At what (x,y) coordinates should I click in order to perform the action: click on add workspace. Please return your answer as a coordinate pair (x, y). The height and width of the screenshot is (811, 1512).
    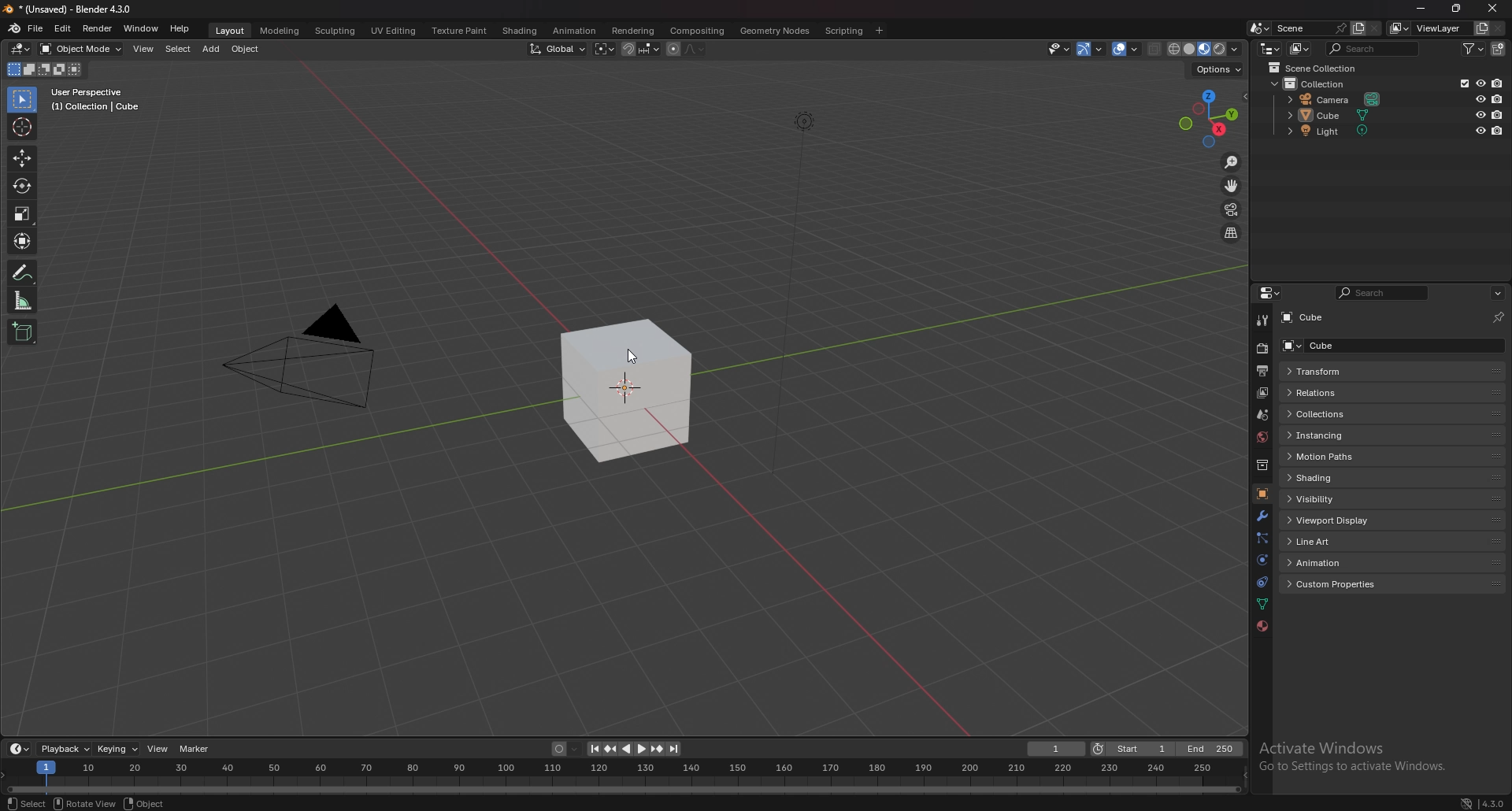
    Looking at the image, I should click on (878, 31).